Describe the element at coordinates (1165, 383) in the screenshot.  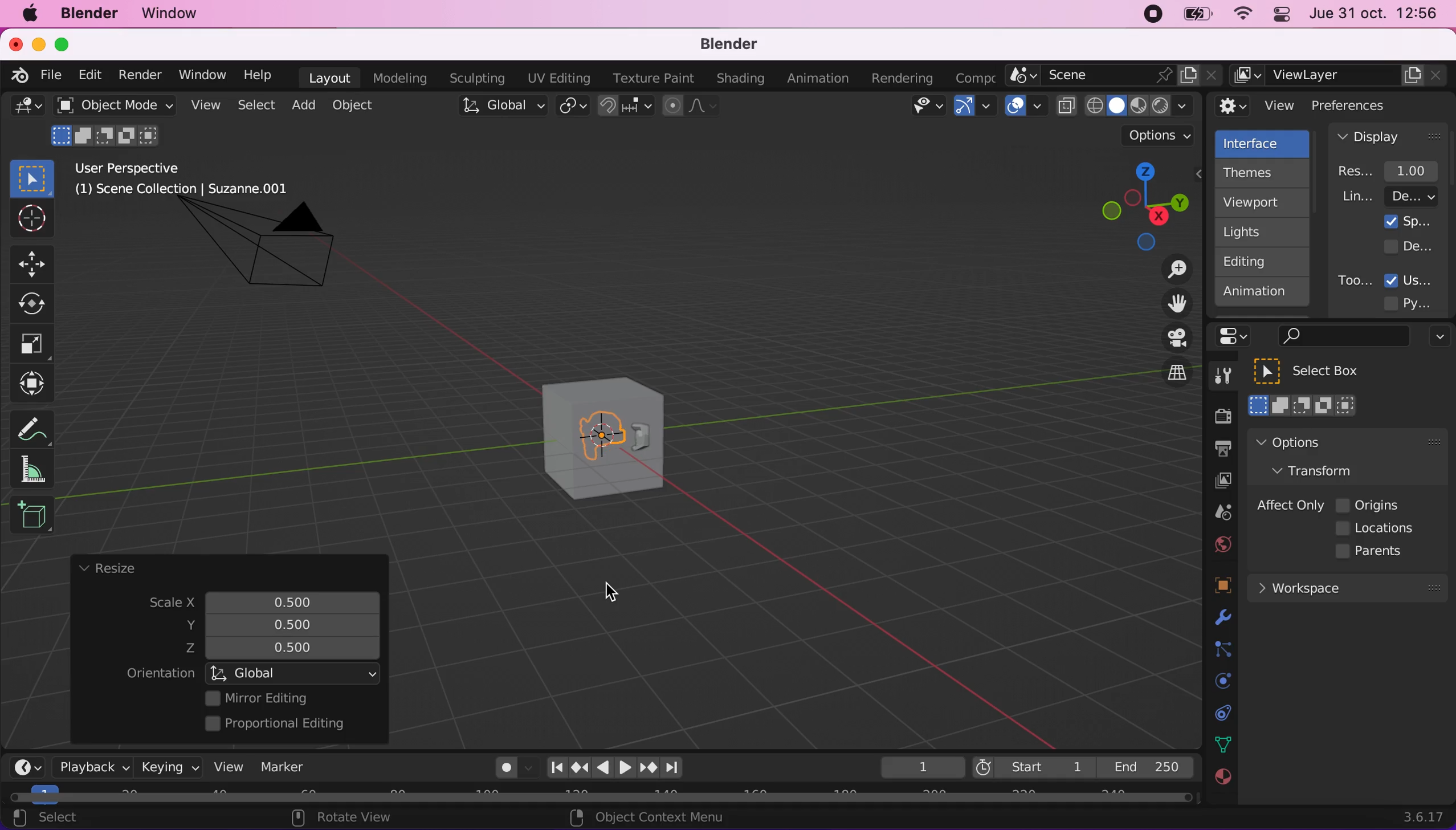
I see `switch the current view` at that location.